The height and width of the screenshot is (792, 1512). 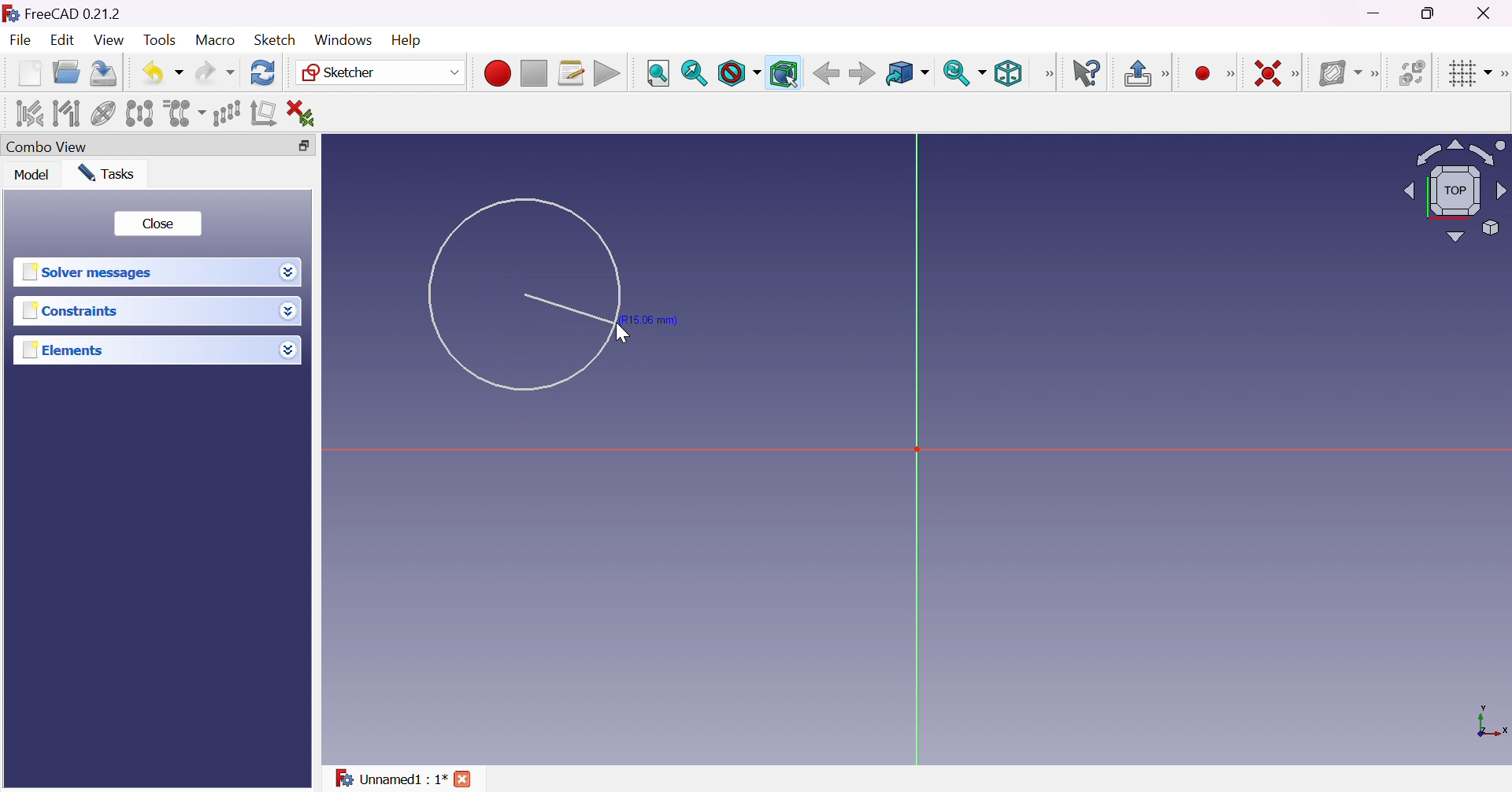 I want to click on Unnamed : 1*, so click(x=390, y=775).